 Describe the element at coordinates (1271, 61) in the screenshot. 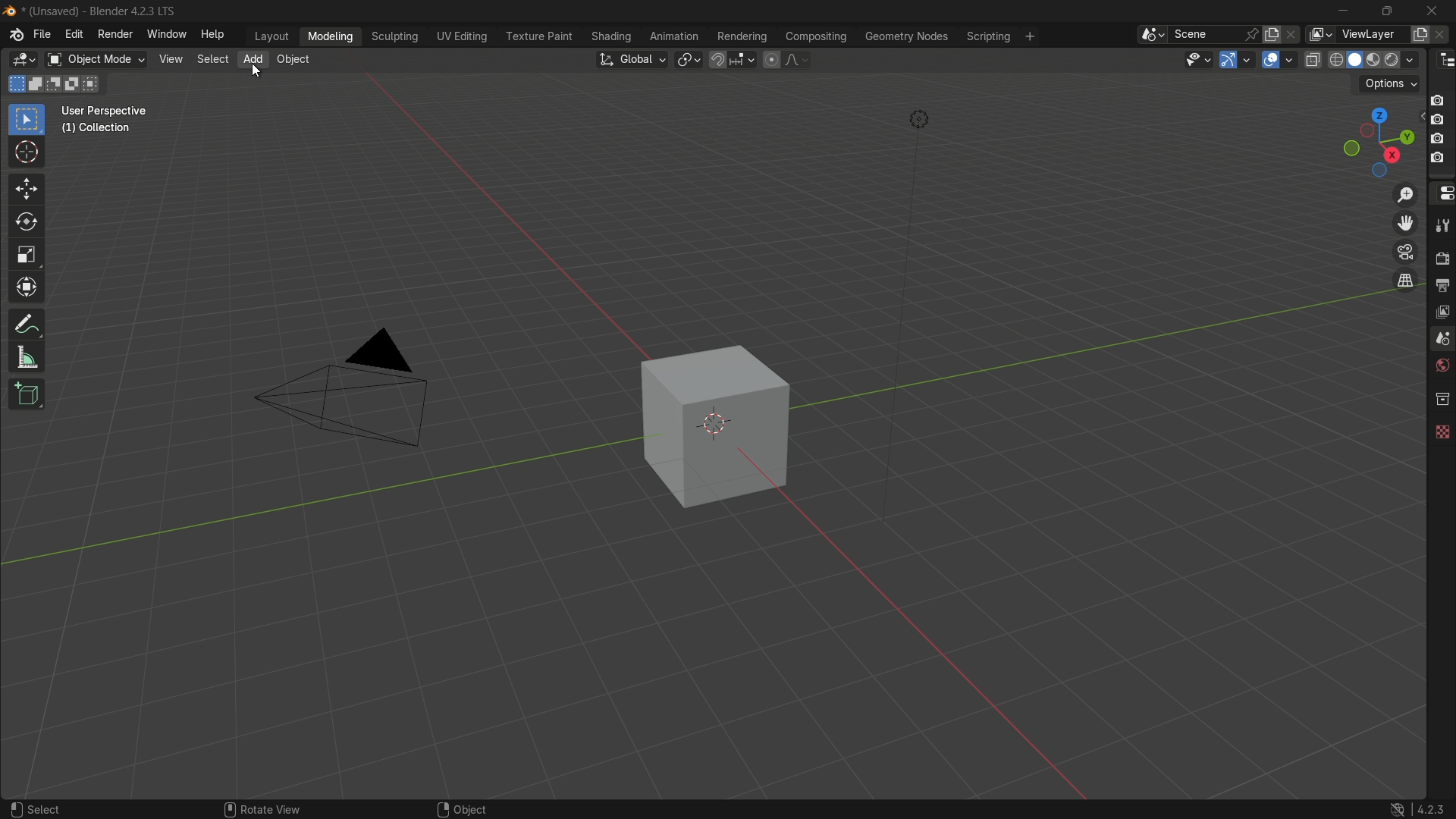

I see `show overlay` at that location.